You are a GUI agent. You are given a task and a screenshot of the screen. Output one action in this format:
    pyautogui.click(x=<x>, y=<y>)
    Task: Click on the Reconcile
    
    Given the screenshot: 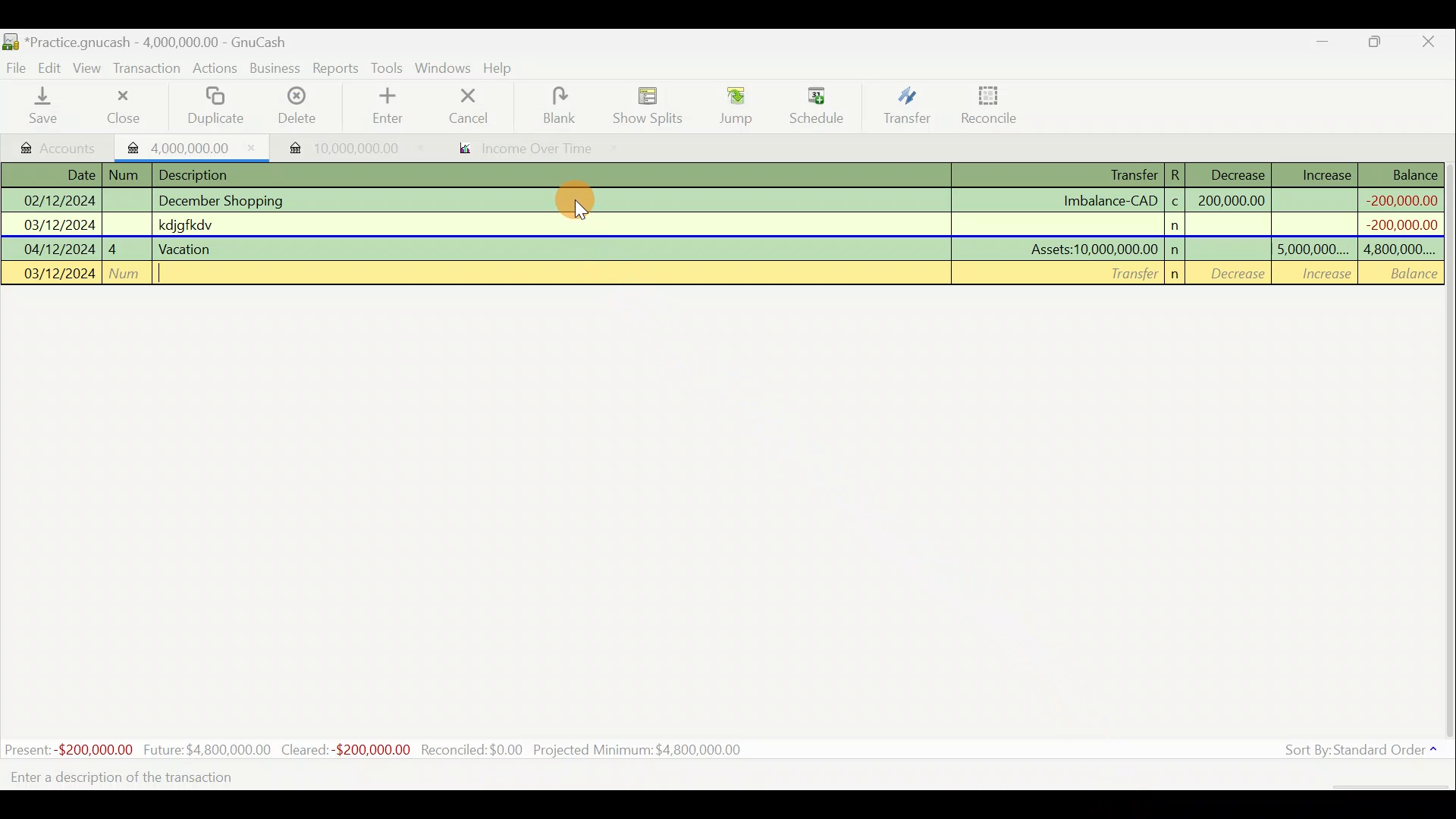 What is the action you would take?
    pyautogui.click(x=995, y=104)
    